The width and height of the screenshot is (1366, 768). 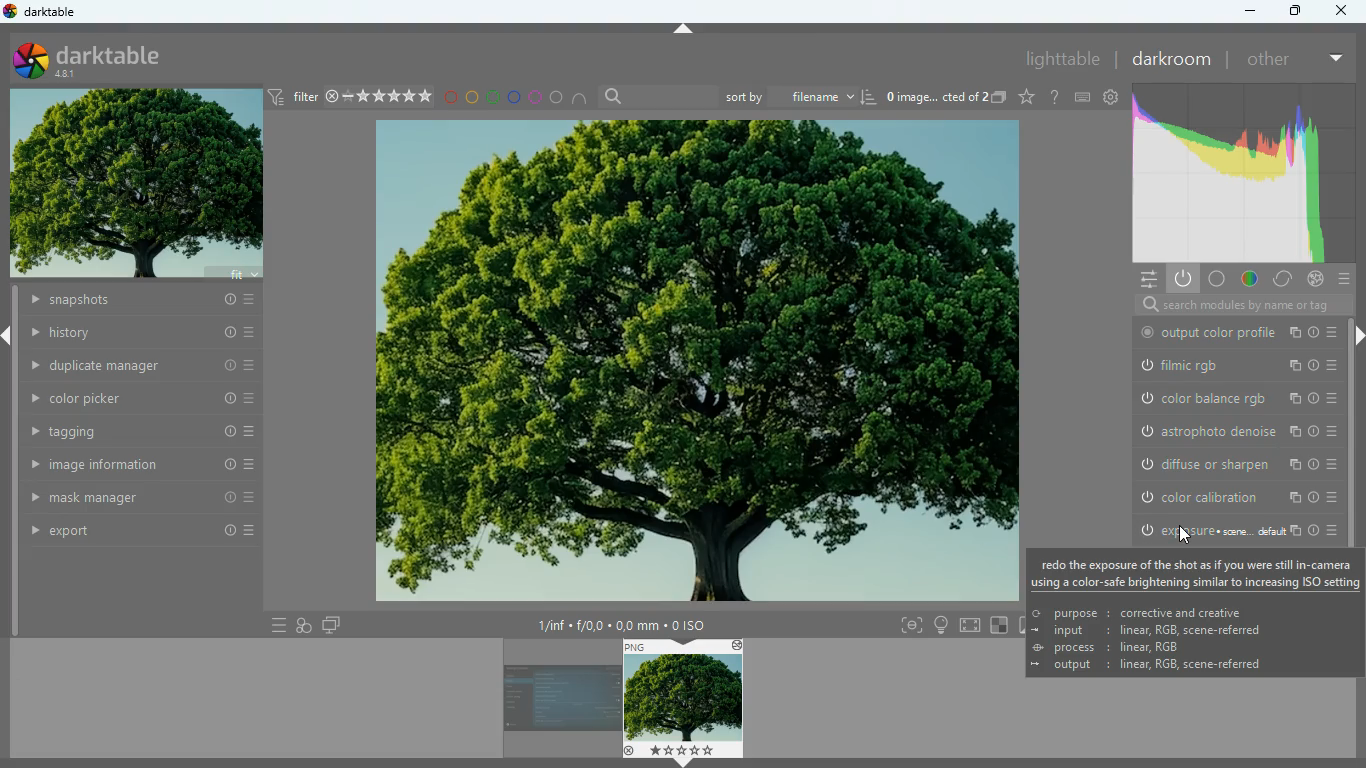 What do you see at coordinates (141, 366) in the screenshot?
I see `duplicate manager` at bounding box center [141, 366].